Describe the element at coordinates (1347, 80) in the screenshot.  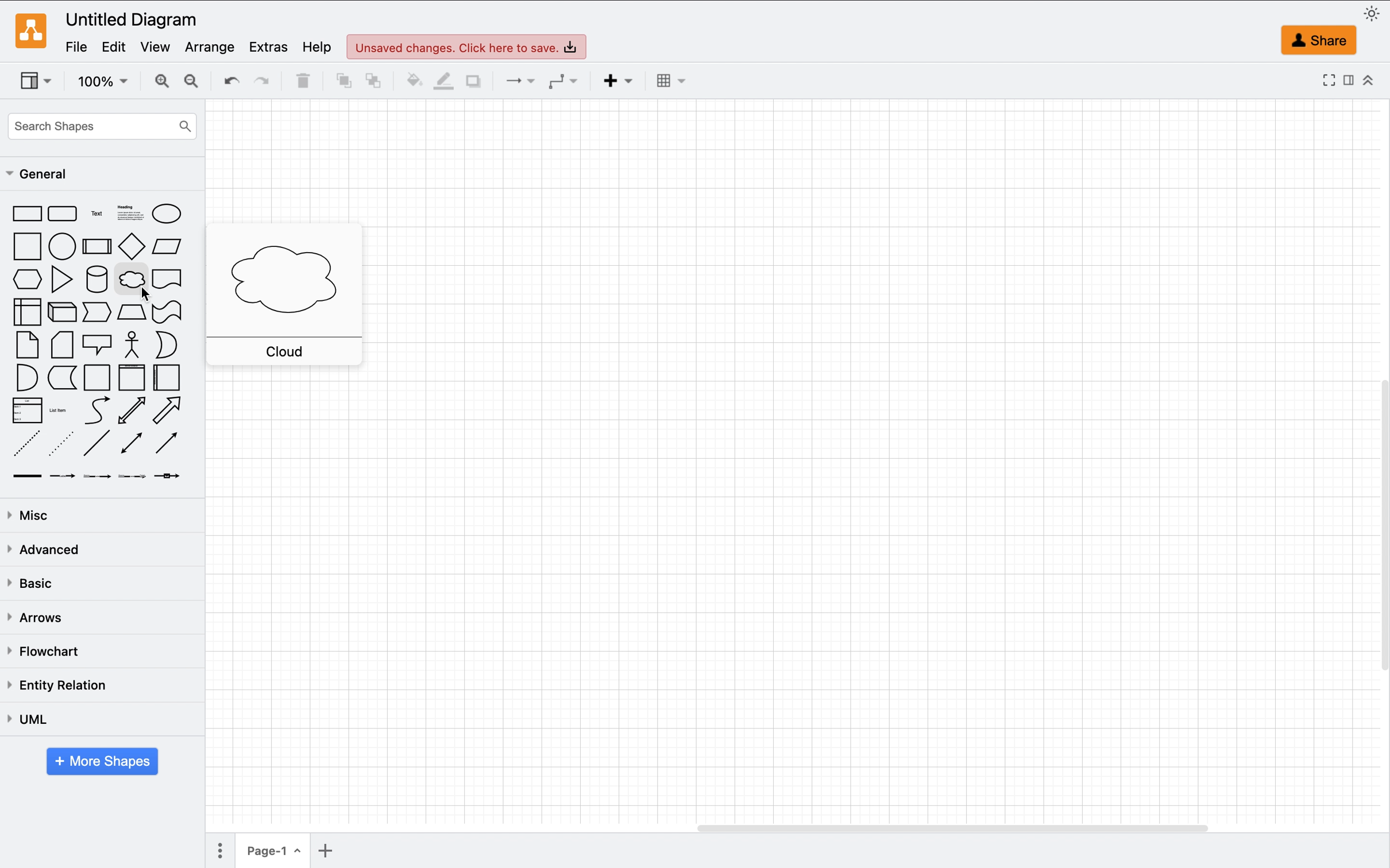
I see `format` at that location.